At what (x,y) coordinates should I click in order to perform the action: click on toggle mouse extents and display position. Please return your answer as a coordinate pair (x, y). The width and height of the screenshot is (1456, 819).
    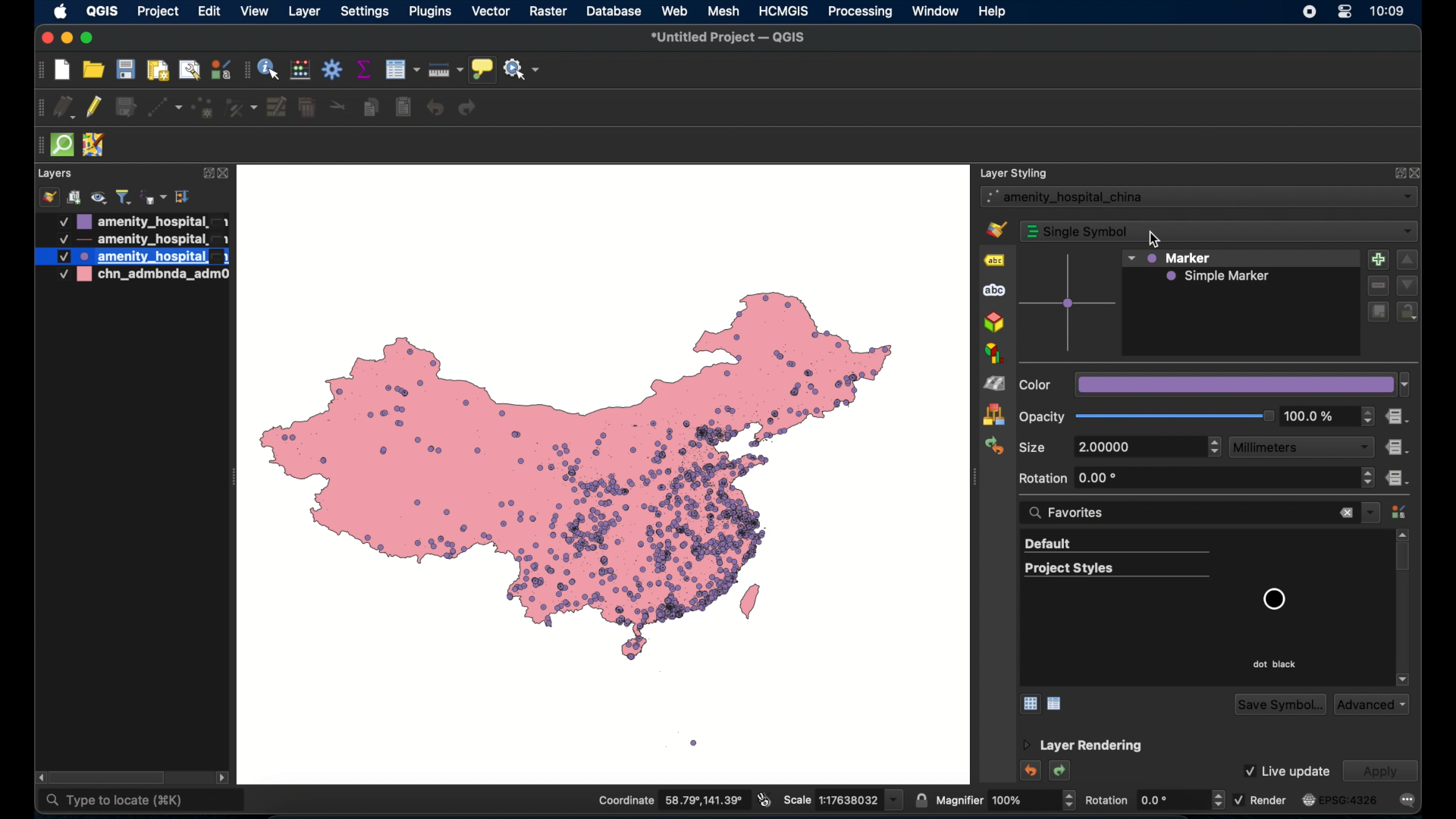
    Looking at the image, I should click on (764, 799).